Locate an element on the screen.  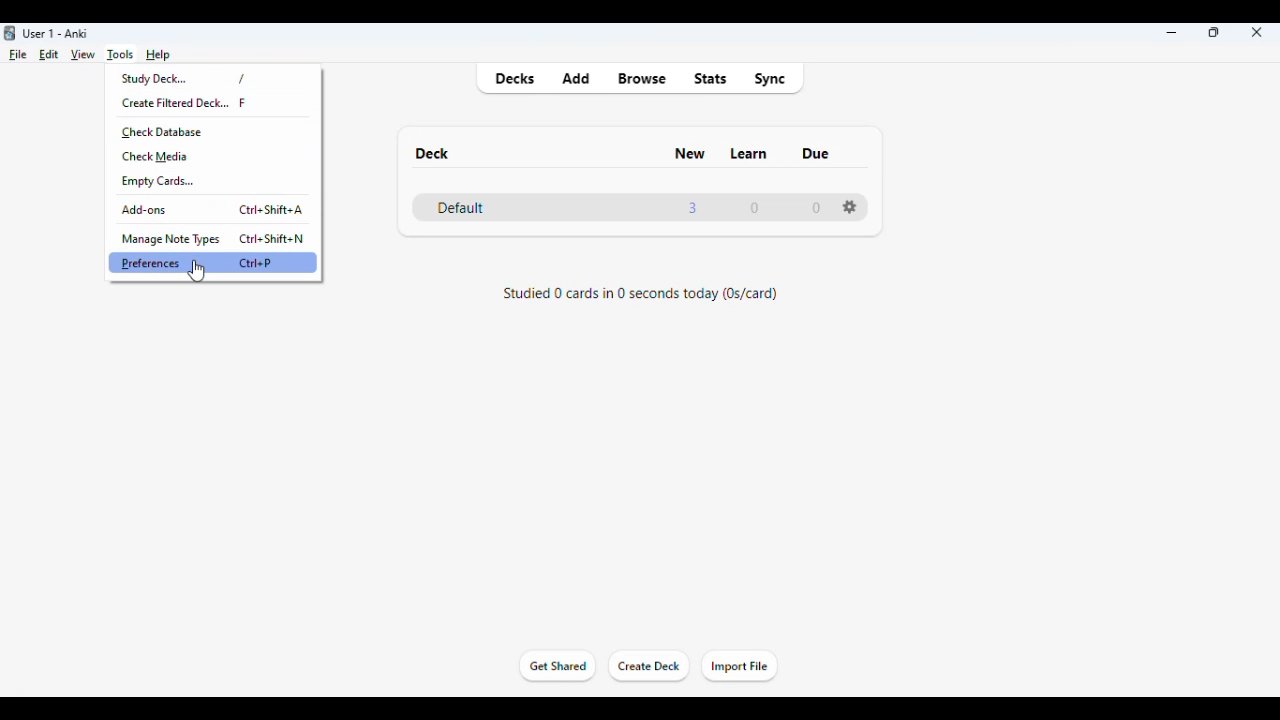
add is located at coordinates (576, 78).